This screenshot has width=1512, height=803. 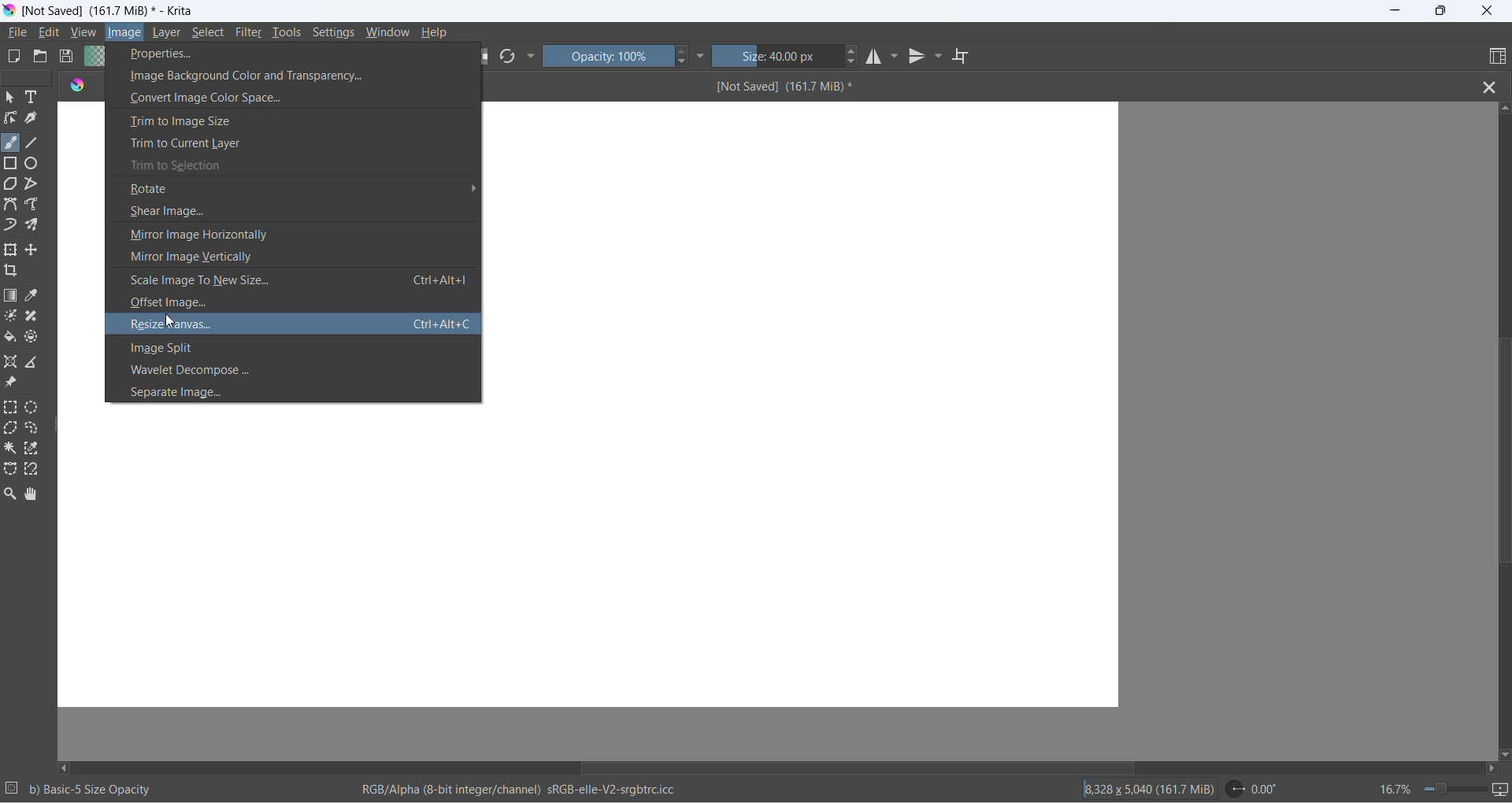 What do you see at coordinates (531, 57) in the screenshot?
I see `more options dropdown button` at bounding box center [531, 57].